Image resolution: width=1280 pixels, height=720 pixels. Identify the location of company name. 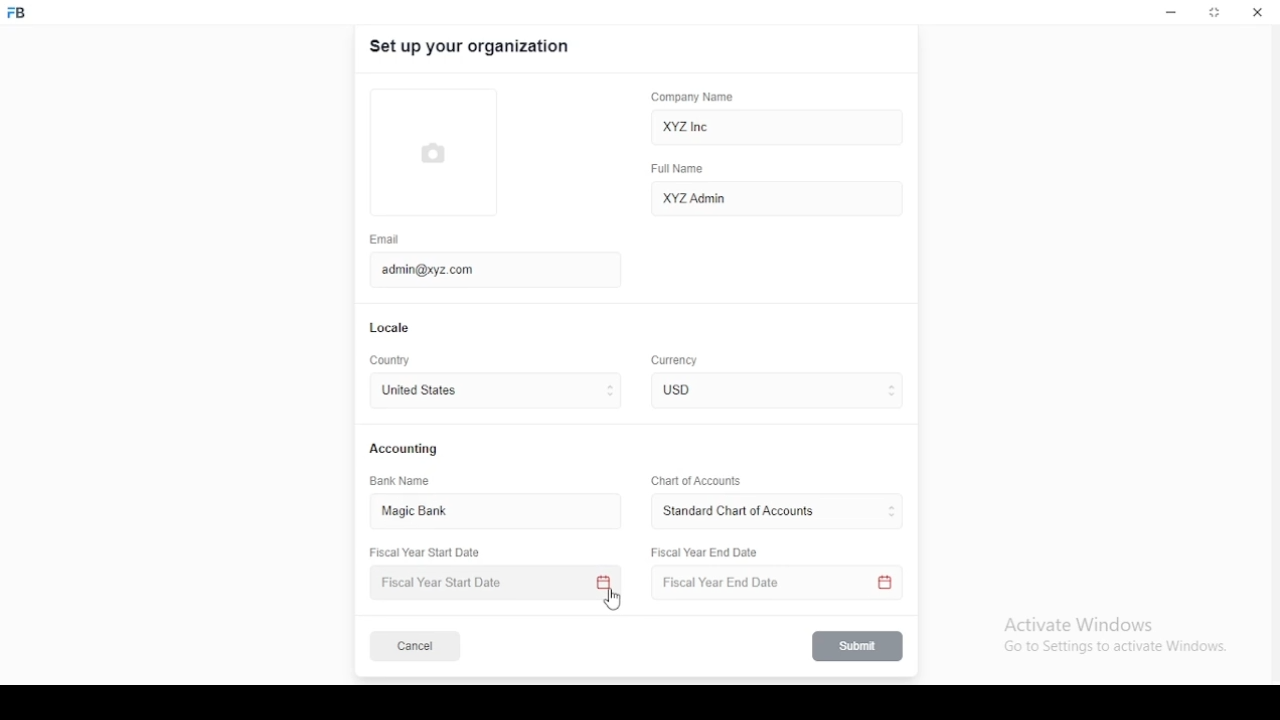
(692, 97).